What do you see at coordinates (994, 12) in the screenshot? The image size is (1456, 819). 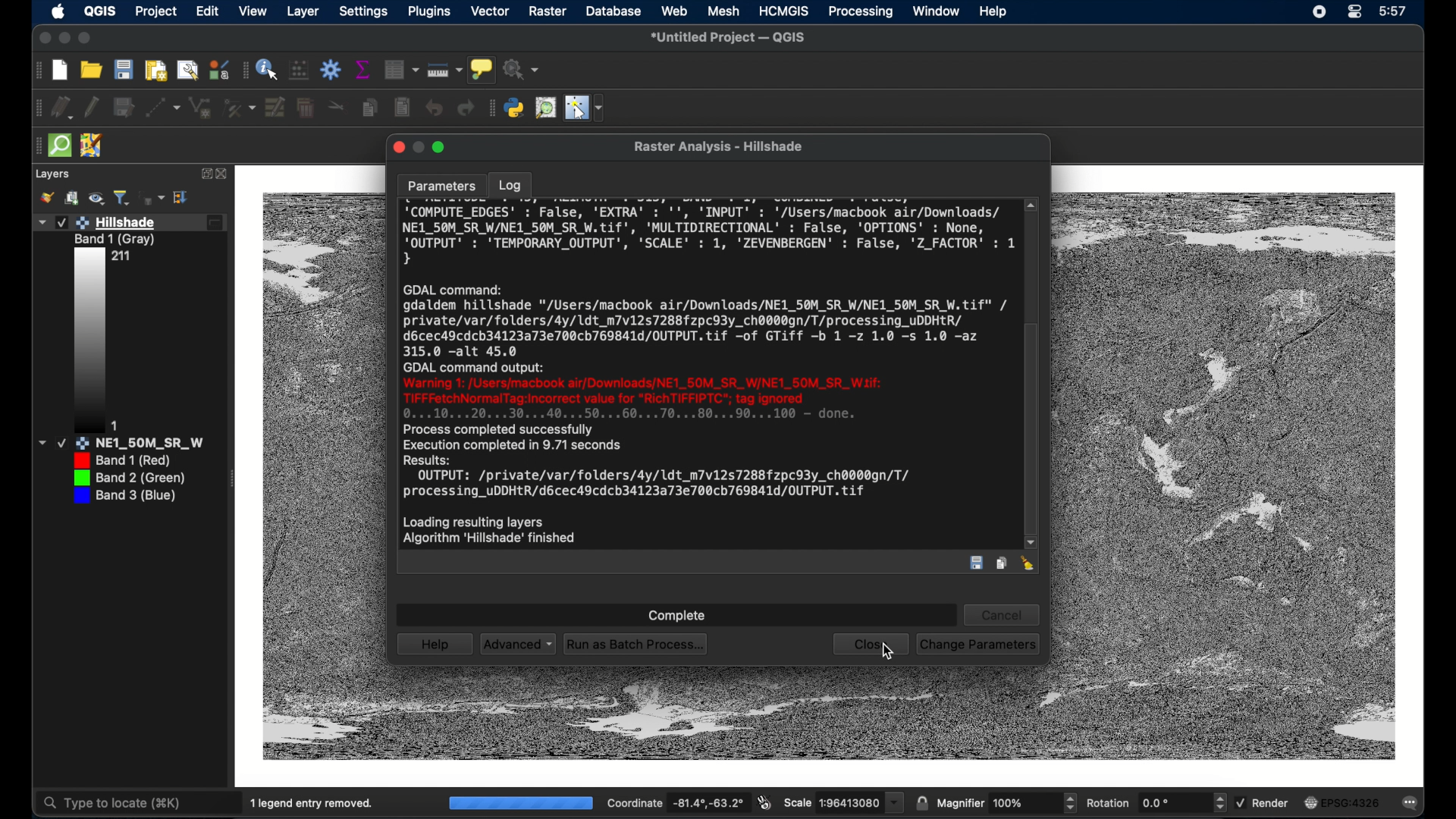 I see `help` at bounding box center [994, 12].